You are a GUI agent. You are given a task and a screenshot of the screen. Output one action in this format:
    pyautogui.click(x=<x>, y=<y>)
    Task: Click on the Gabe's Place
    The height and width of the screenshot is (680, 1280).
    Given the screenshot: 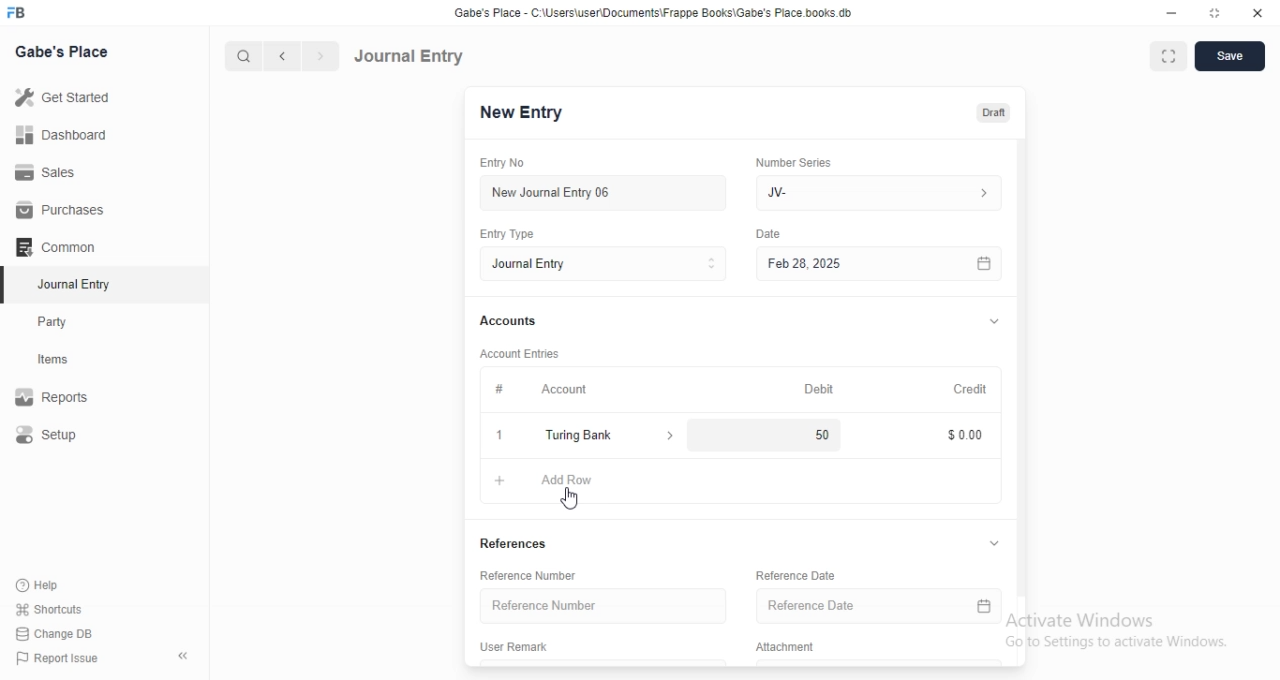 What is the action you would take?
    pyautogui.click(x=62, y=51)
    